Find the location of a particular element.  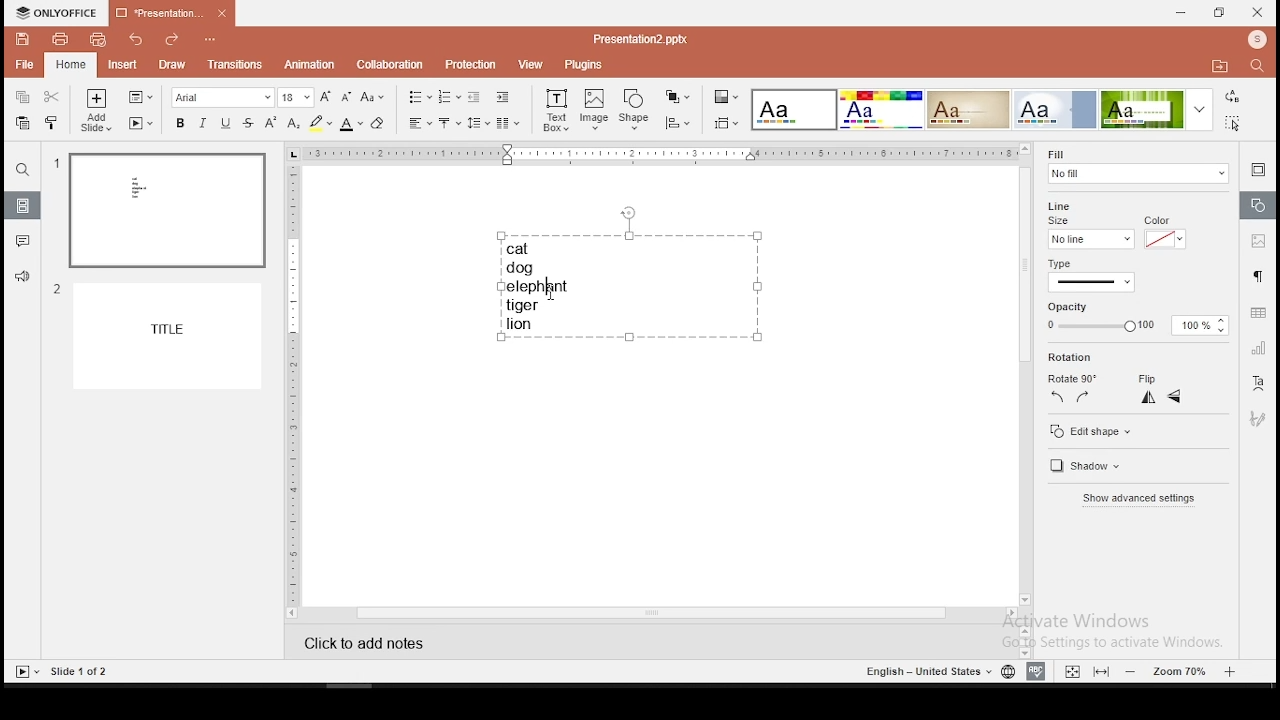

Filp is located at coordinates (1162, 391).